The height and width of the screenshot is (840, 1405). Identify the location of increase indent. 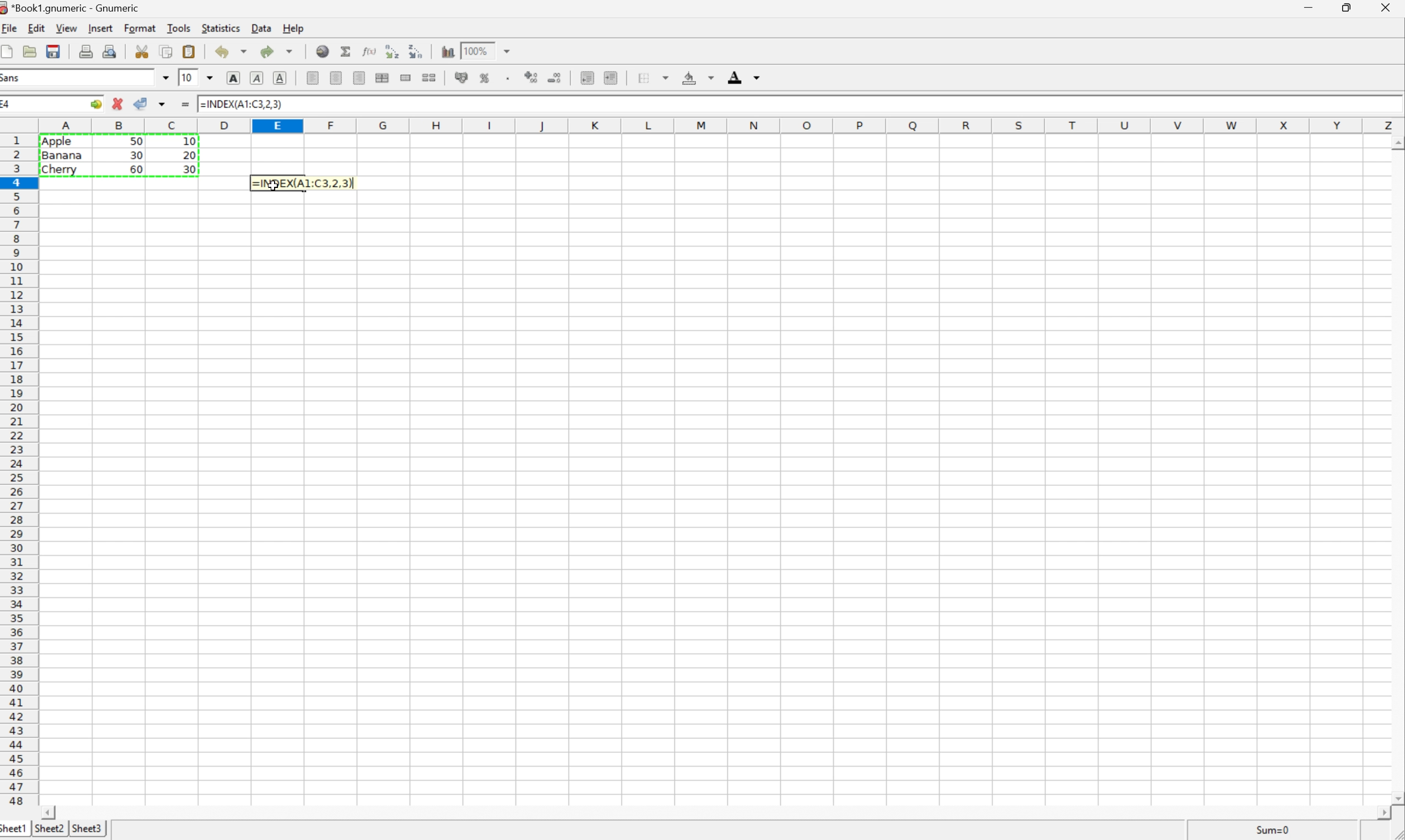
(611, 77).